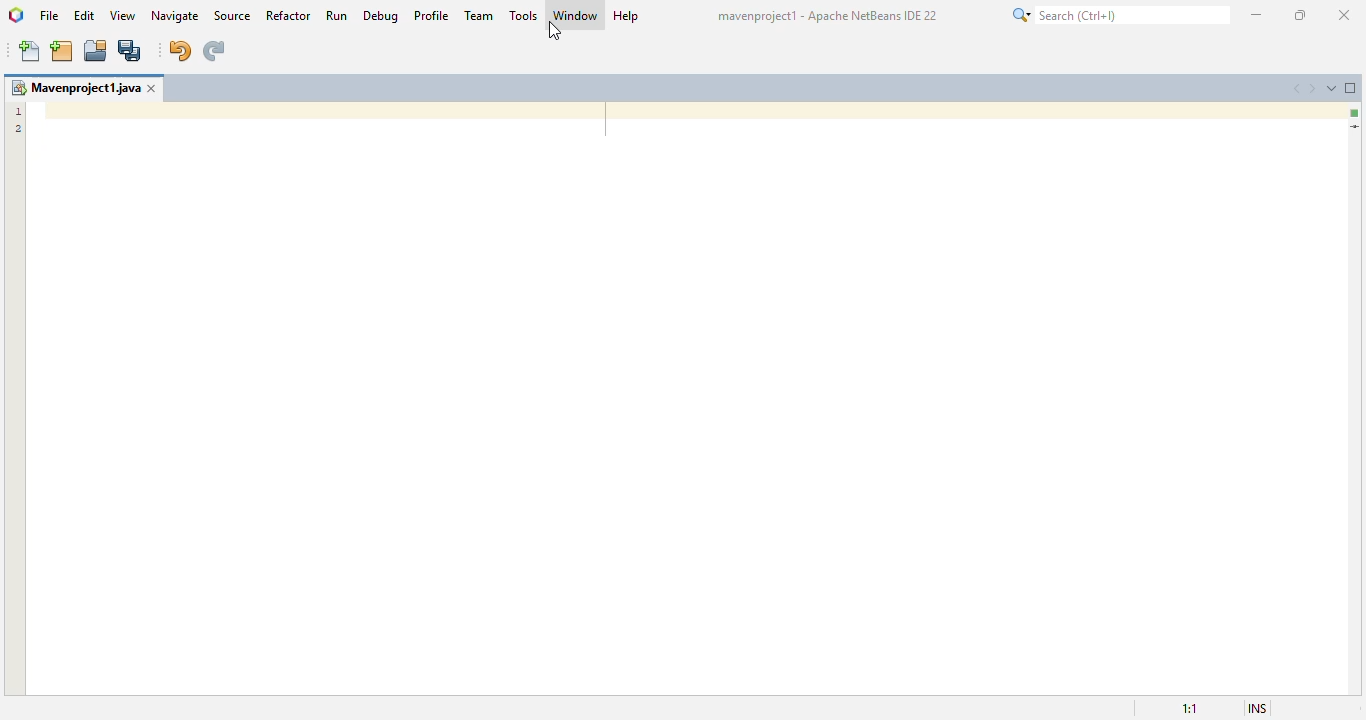  Describe the element at coordinates (18, 111) in the screenshot. I see `1` at that location.